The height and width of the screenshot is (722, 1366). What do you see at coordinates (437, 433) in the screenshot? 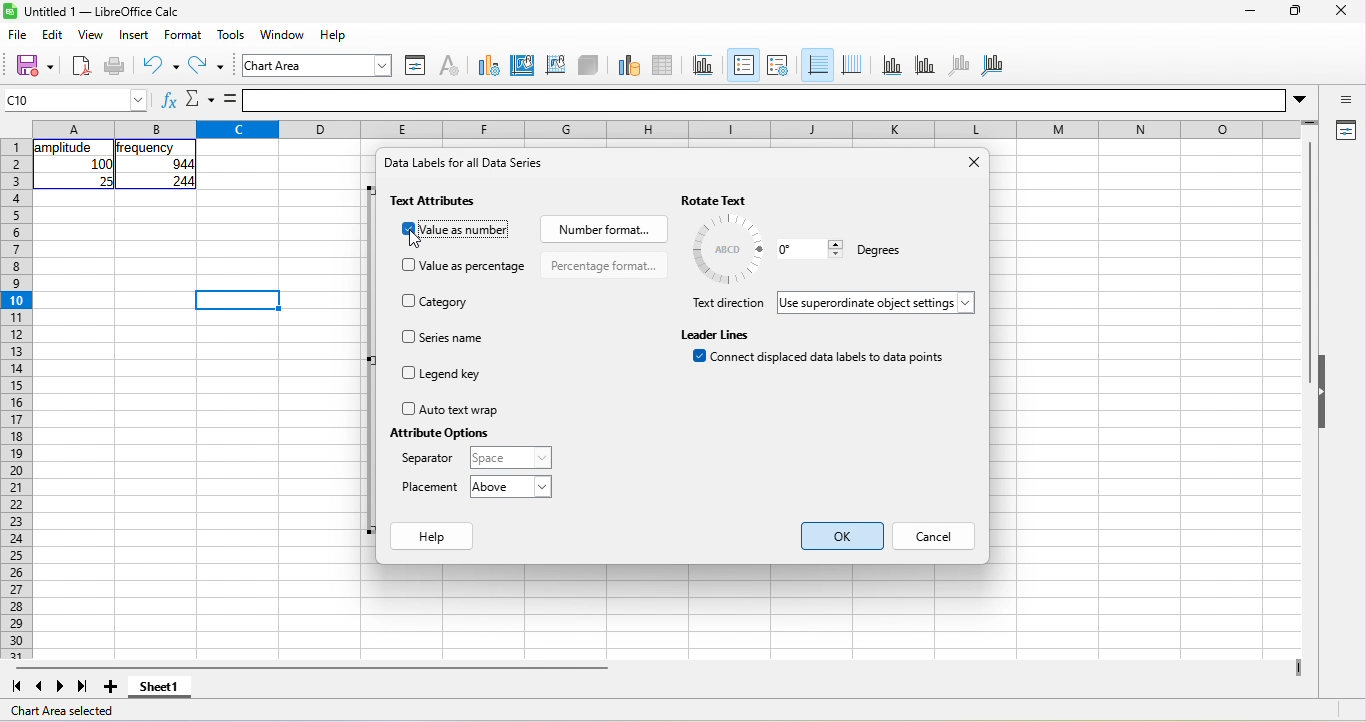
I see `attribute options` at bounding box center [437, 433].